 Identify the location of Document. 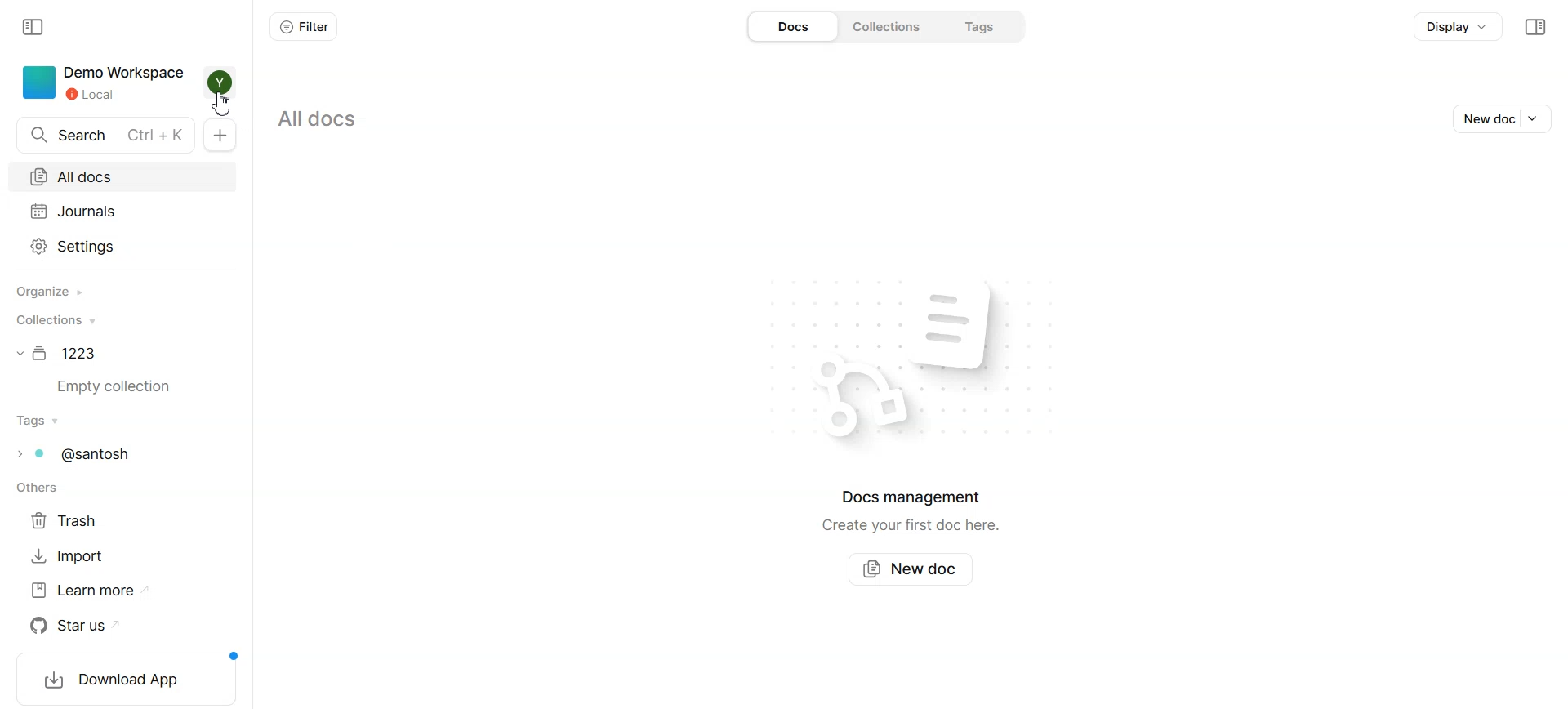
(61, 353).